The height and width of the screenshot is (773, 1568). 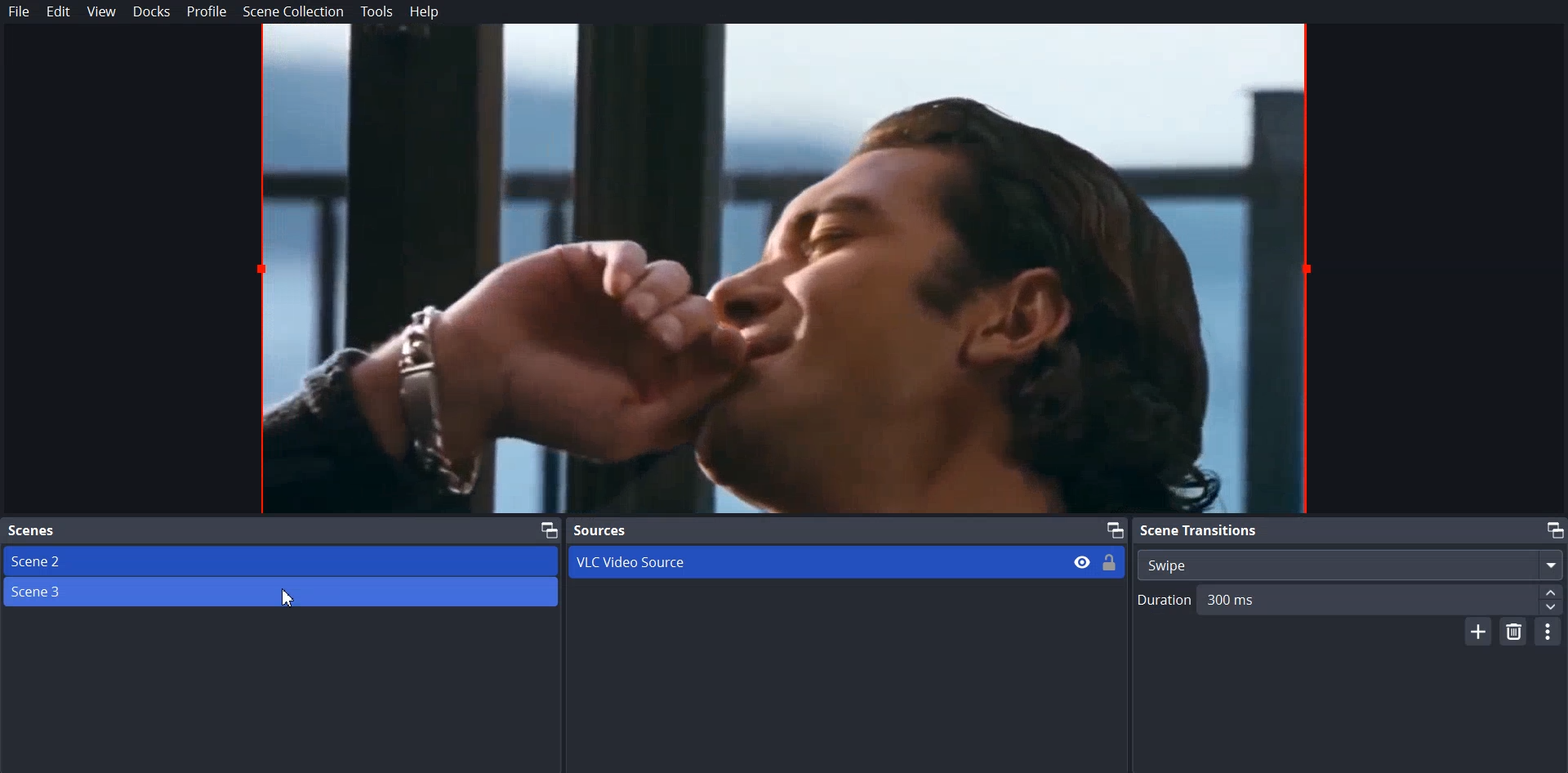 What do you see at coordinates (1082, 562) in the screenshot?
I see `Hide/Display` at bounding box center [1082, 562].